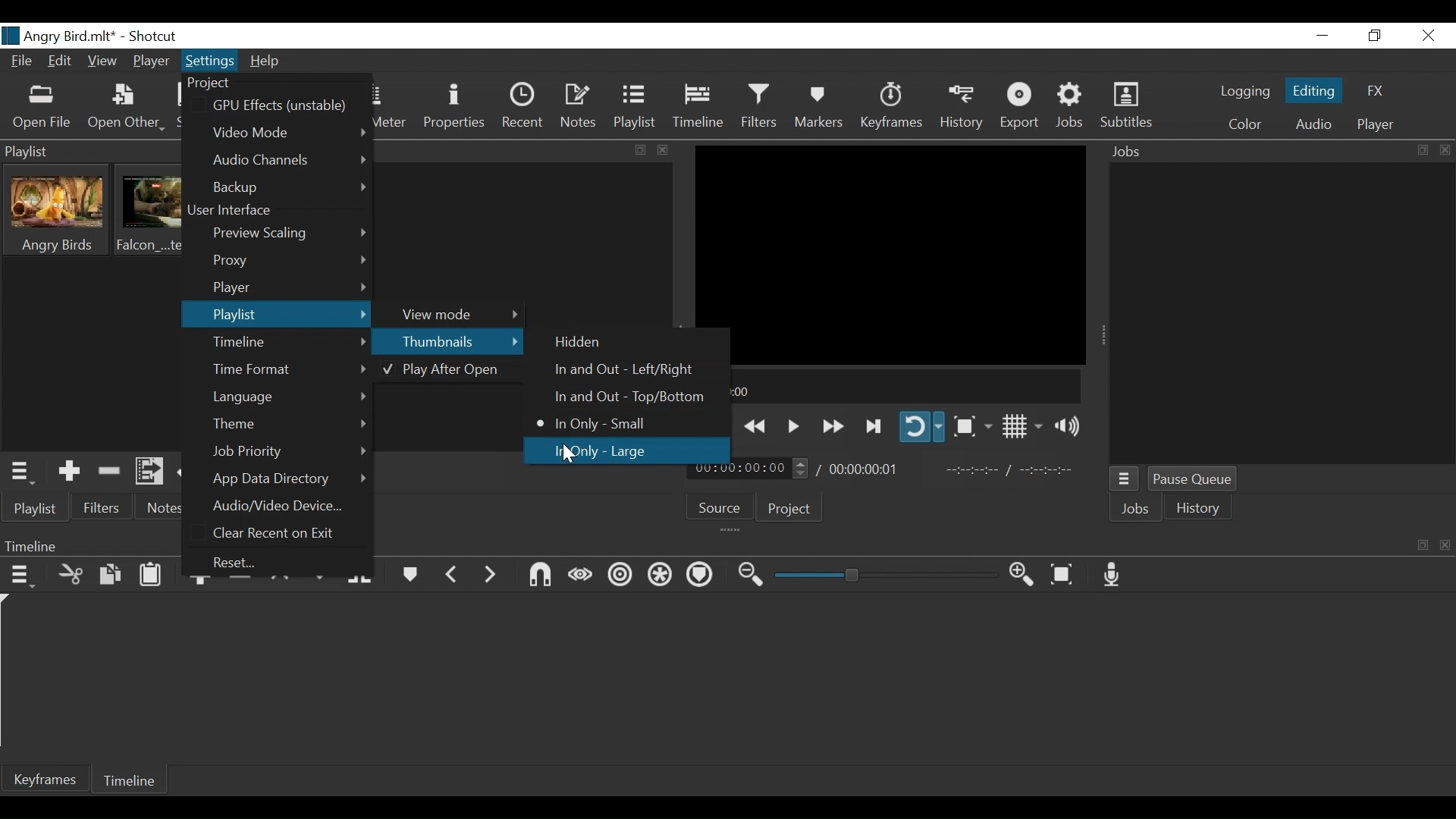 The width and height of the screenshot is (1456, 819). I want to click on View mode, so click(454, 313).